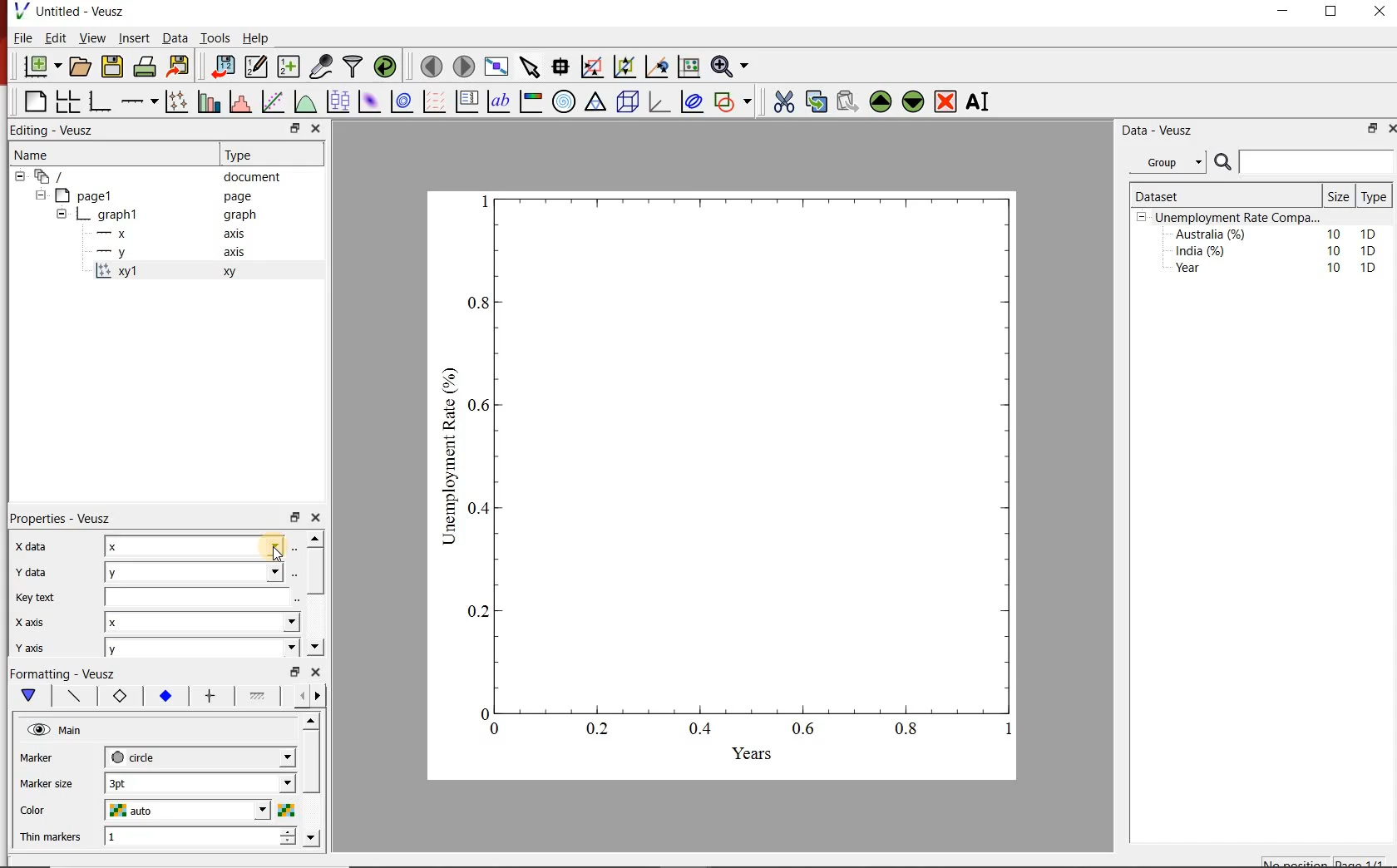 The image size is (1397, 868). What do you see at coordinates (288, 845) in the screenshot?
I see `decrease` at bounding box center [288, 845].